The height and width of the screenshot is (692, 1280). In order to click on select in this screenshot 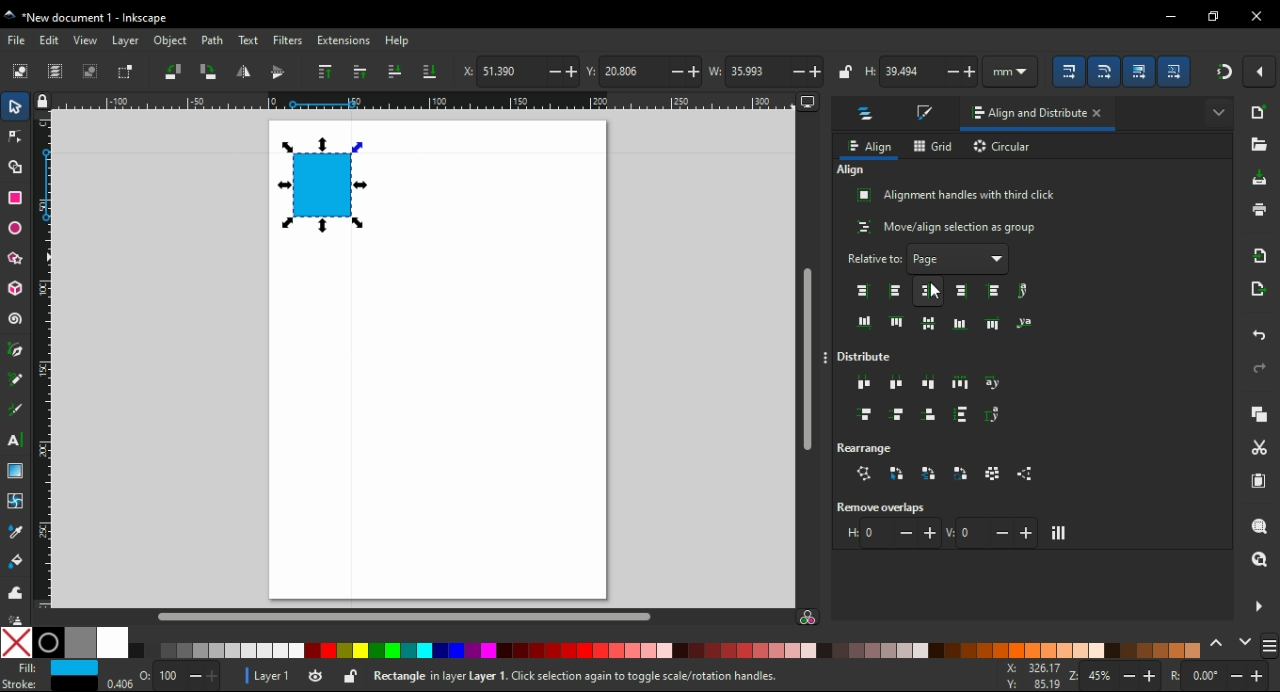, I will do `click(17, 109)`.